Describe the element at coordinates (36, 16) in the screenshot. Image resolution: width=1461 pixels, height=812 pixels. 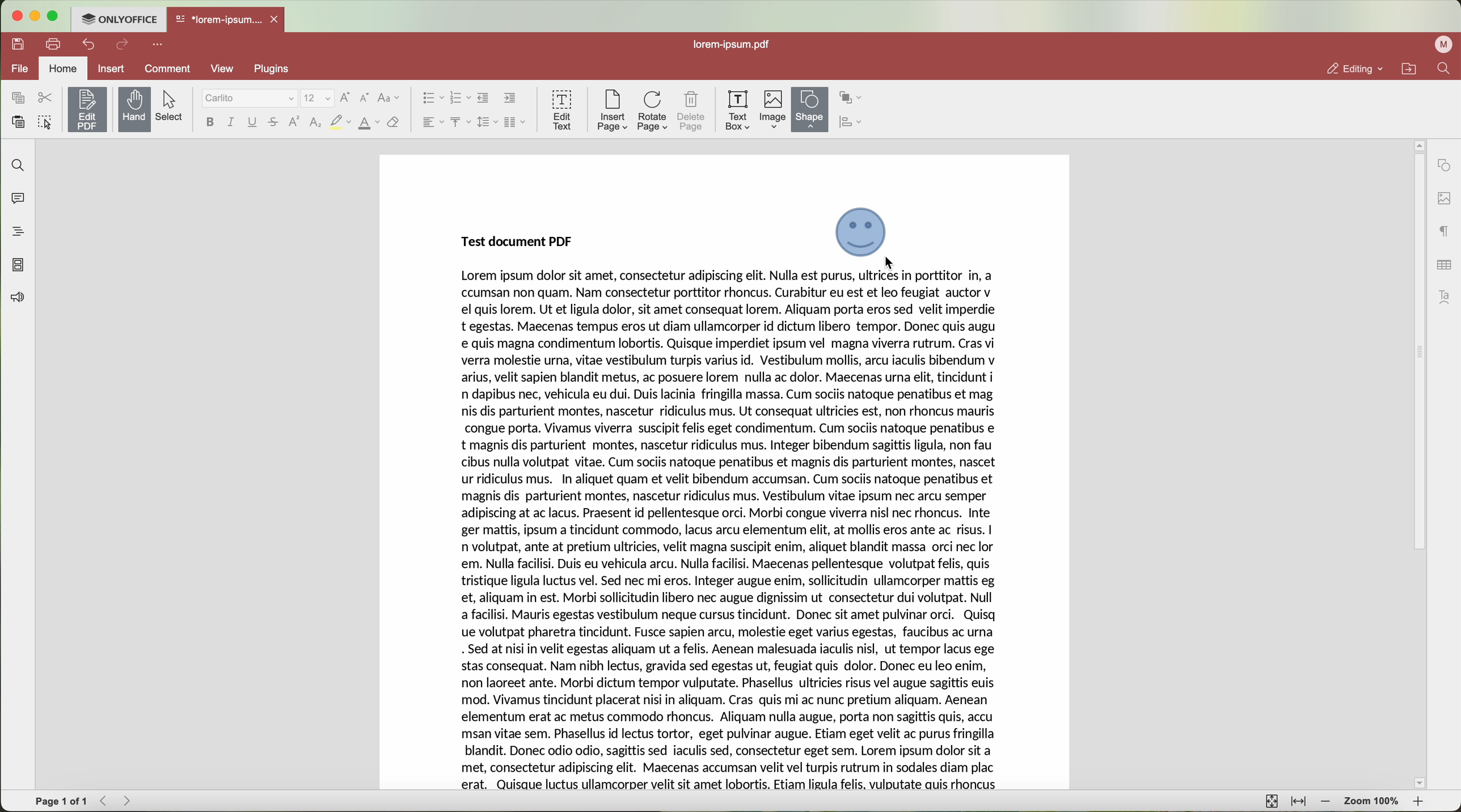
I see `minimize` at that location.